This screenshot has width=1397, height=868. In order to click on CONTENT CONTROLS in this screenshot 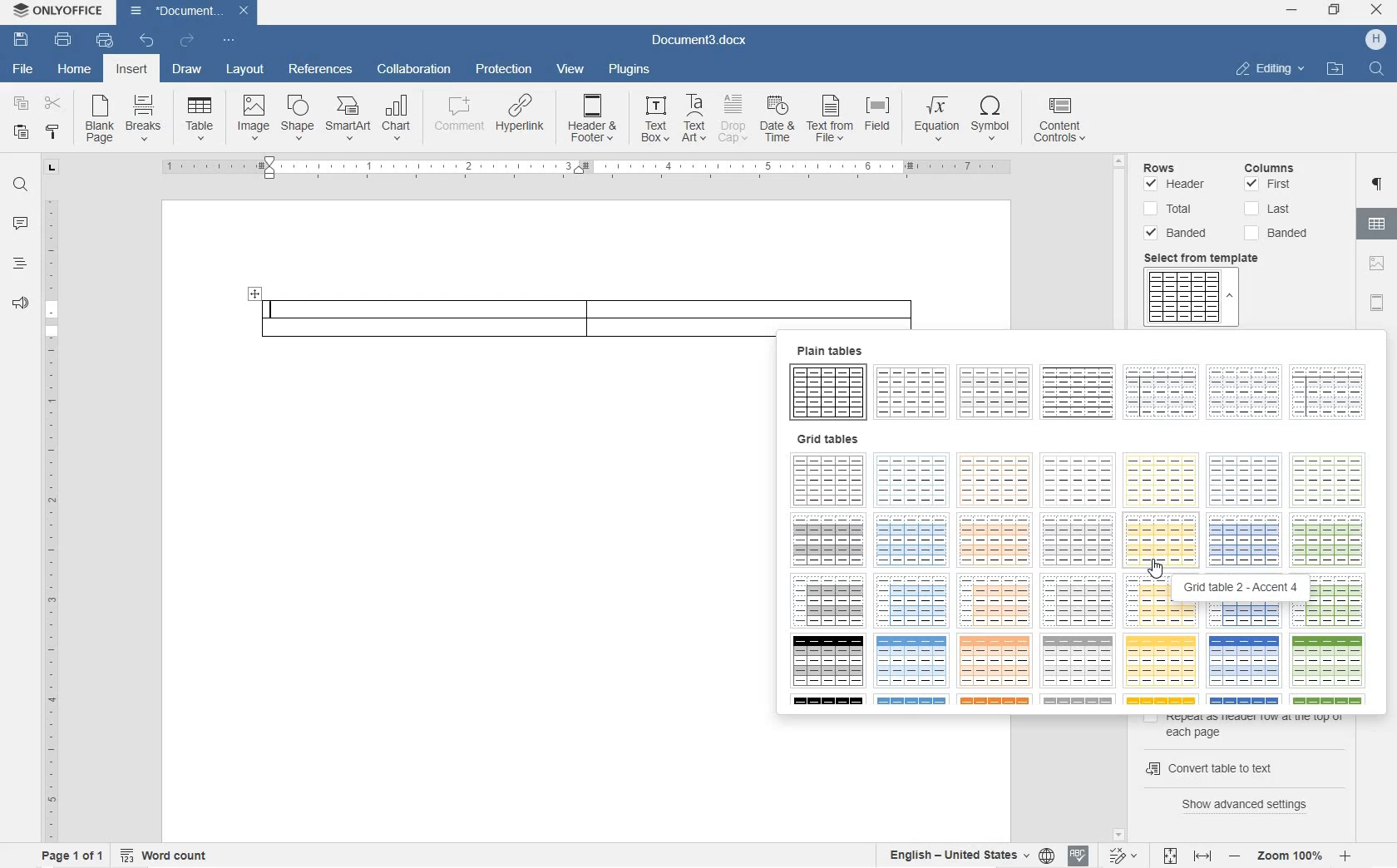, I will do `click(1061, 122)`.